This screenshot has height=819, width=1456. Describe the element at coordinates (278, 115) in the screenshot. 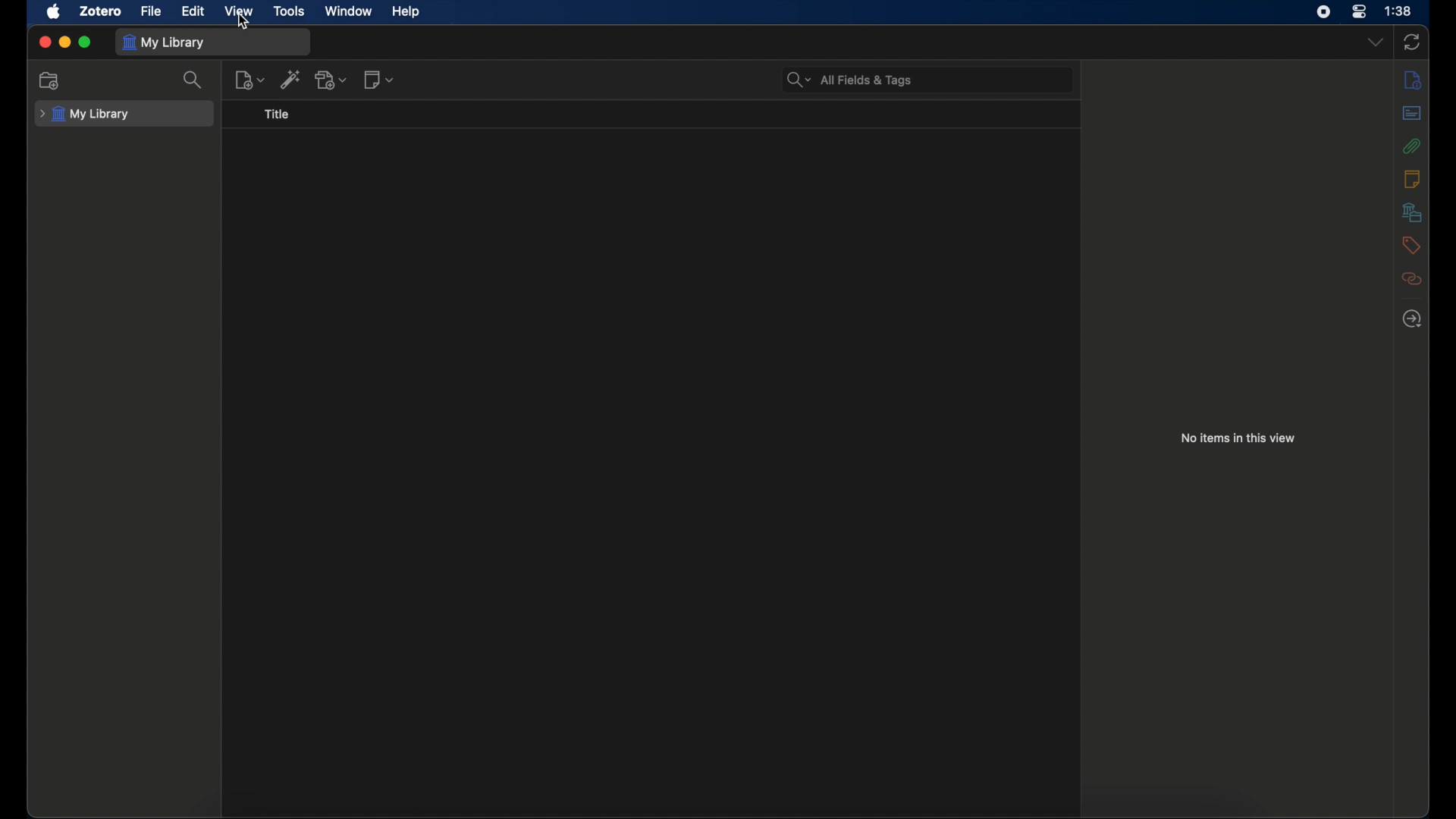

I see `title` at that location.